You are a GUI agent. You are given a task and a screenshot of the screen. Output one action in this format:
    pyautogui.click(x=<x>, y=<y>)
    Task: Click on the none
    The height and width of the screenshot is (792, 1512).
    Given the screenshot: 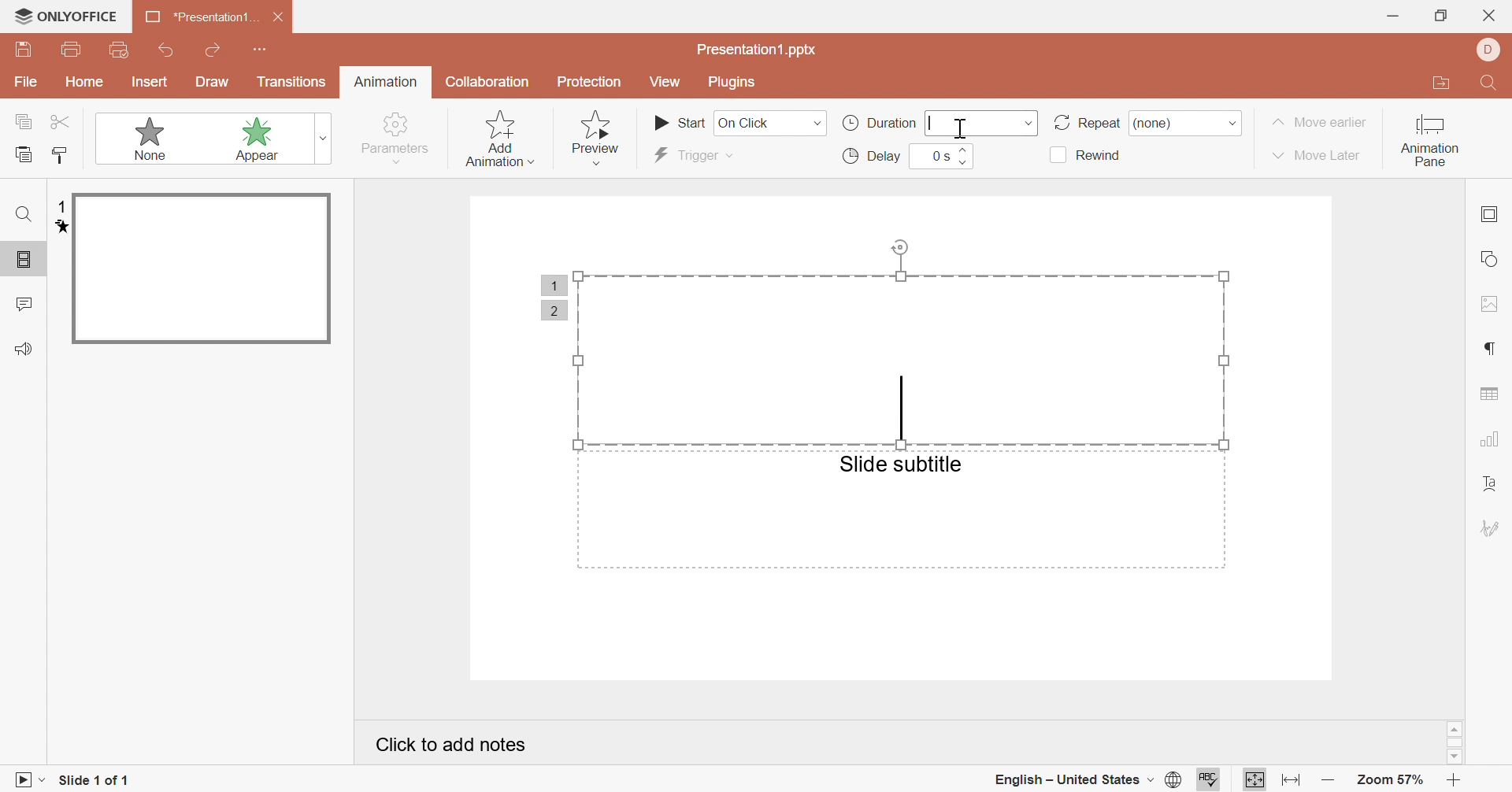 What is the action you would take?
    pyautogui.click(x=1163, y=123)
    